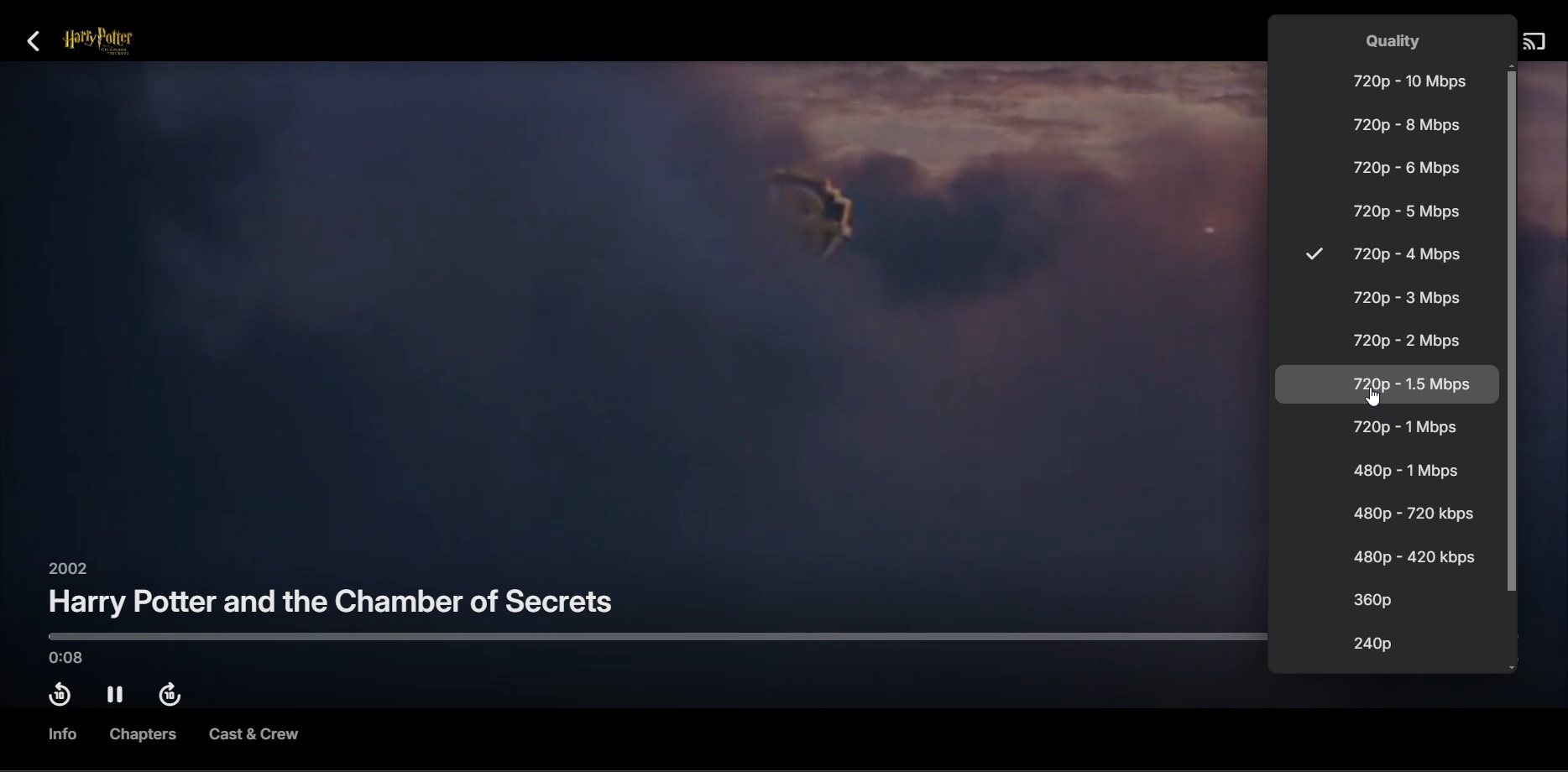 The height and width of the screenshot is (772, 1568). Describe the element at coordinates (59, 734) in the screenshot. I see `Info` at that location.